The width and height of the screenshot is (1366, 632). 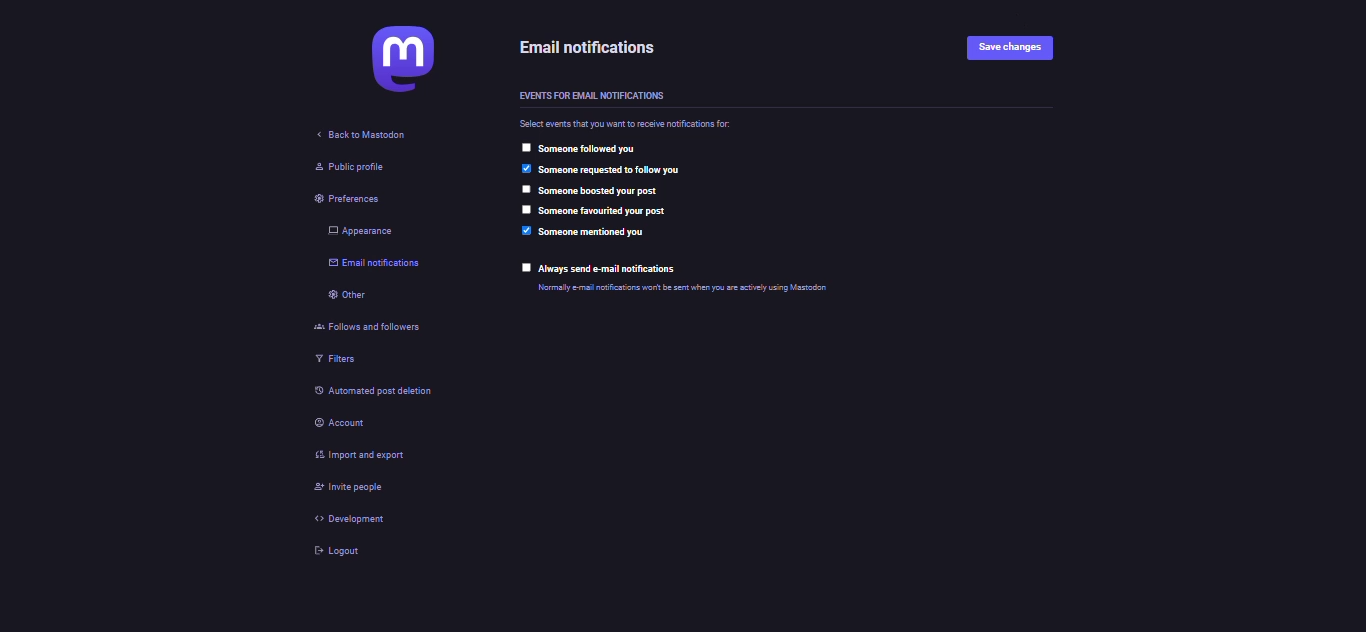 I want to click on disabled, so click(x=524, y=148).